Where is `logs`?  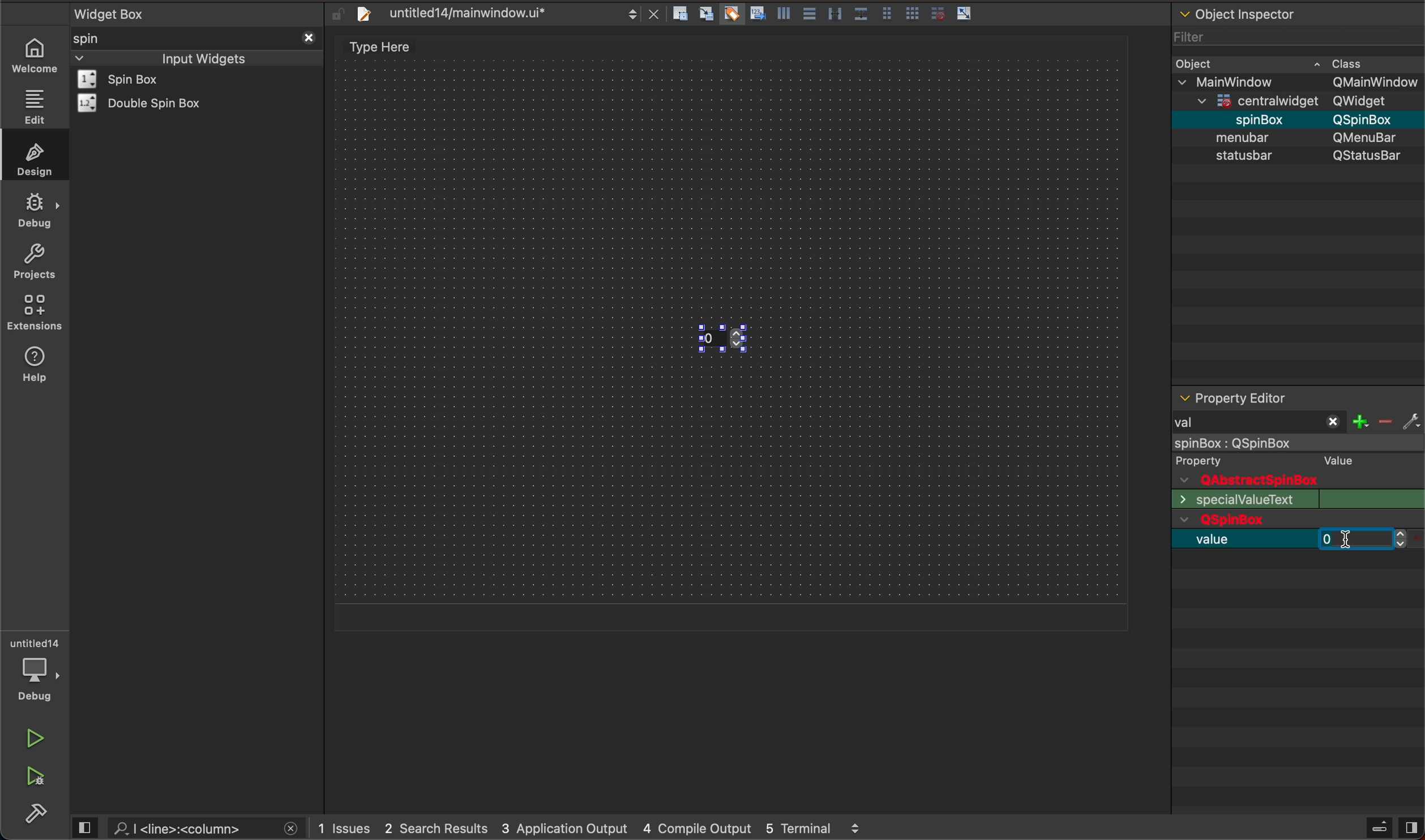
logs is located at coordinates (601, 829).